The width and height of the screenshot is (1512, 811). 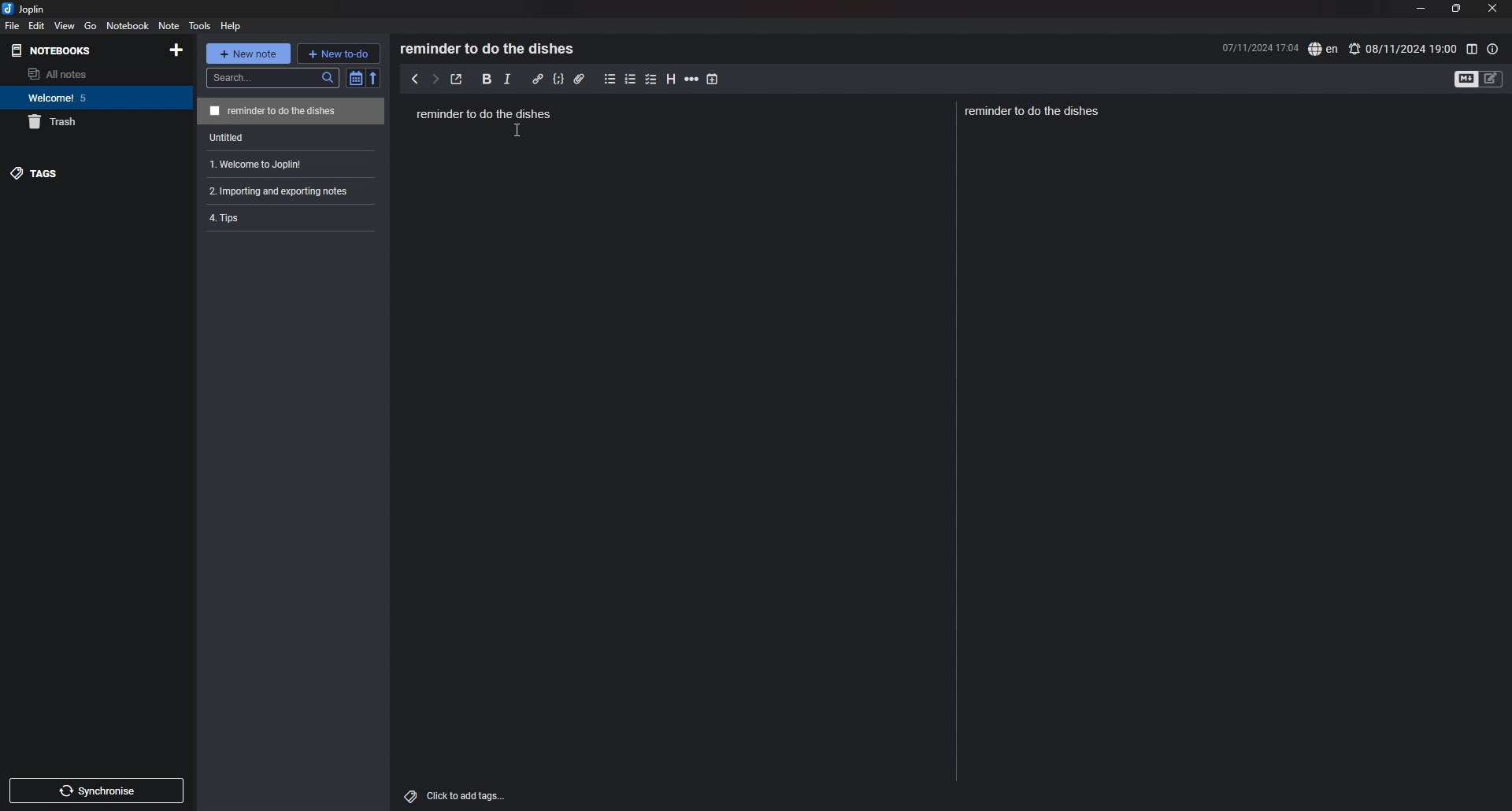 I want to click on notebook, so click(x=128, y=25).